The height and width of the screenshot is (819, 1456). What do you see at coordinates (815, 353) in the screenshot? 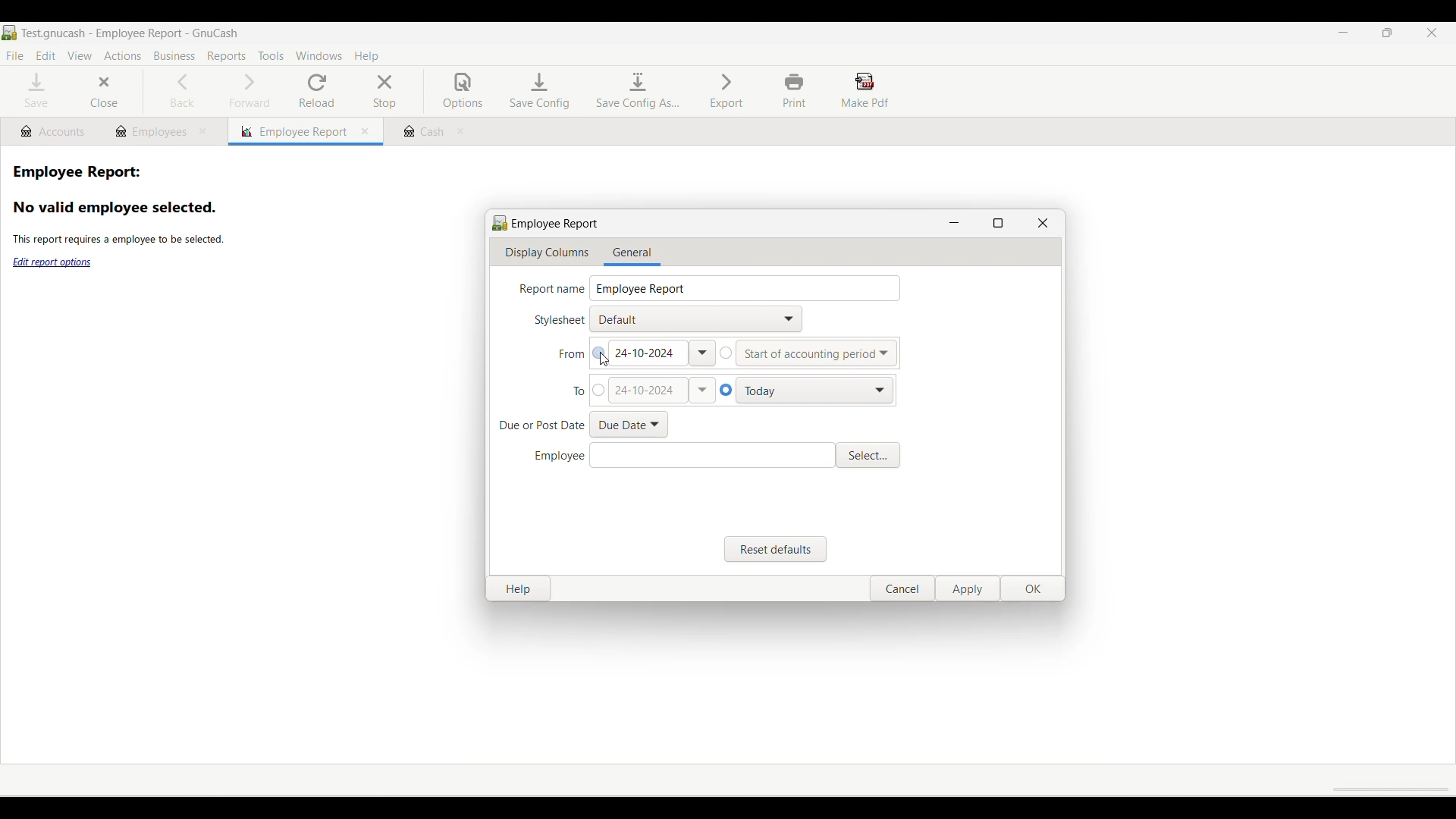
I see `Preset start date options` at bounding box center [815, 353].